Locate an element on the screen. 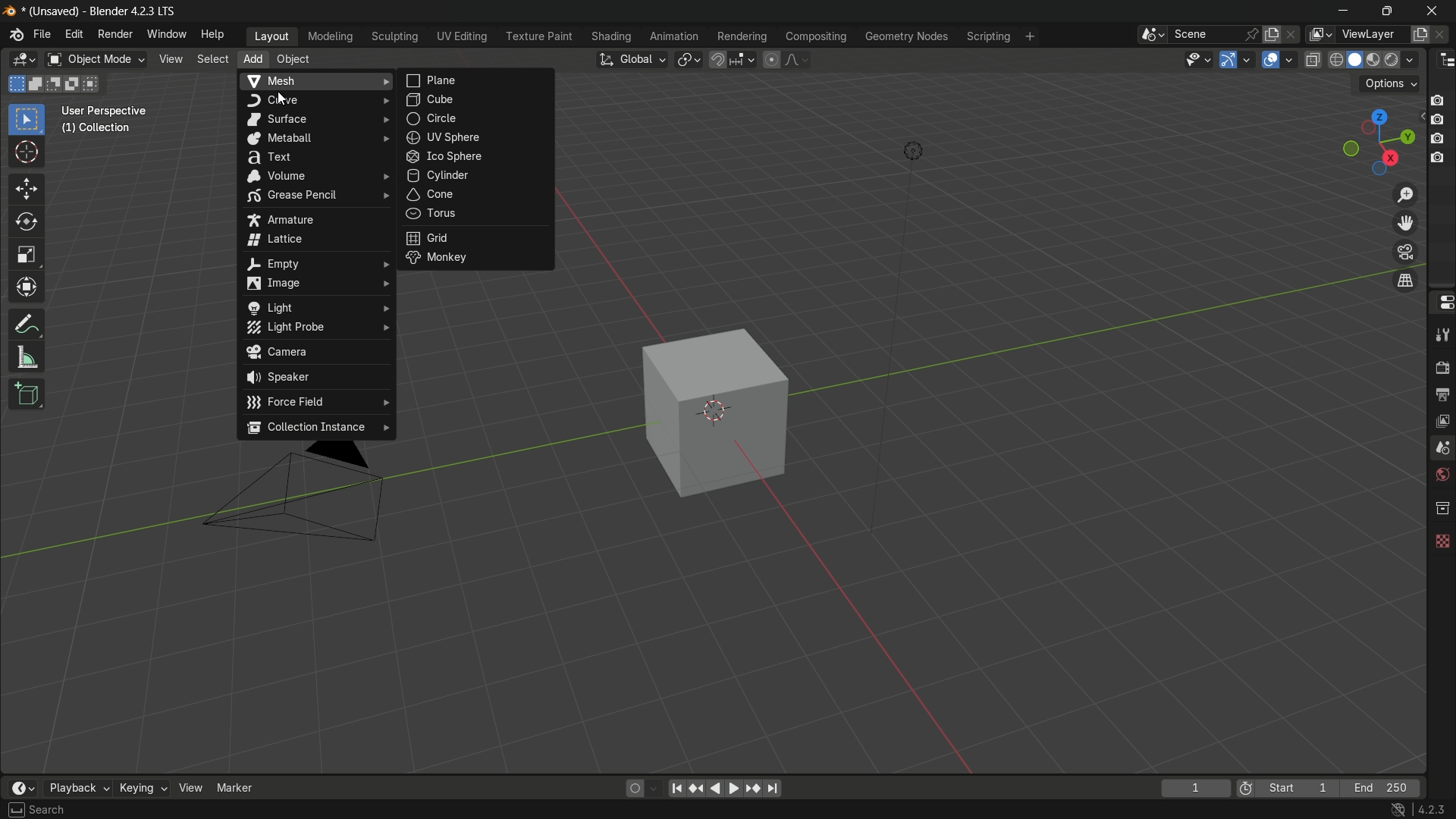 This screenshot has height=819, width=1456. capture is located at coordinates (1442, 99).